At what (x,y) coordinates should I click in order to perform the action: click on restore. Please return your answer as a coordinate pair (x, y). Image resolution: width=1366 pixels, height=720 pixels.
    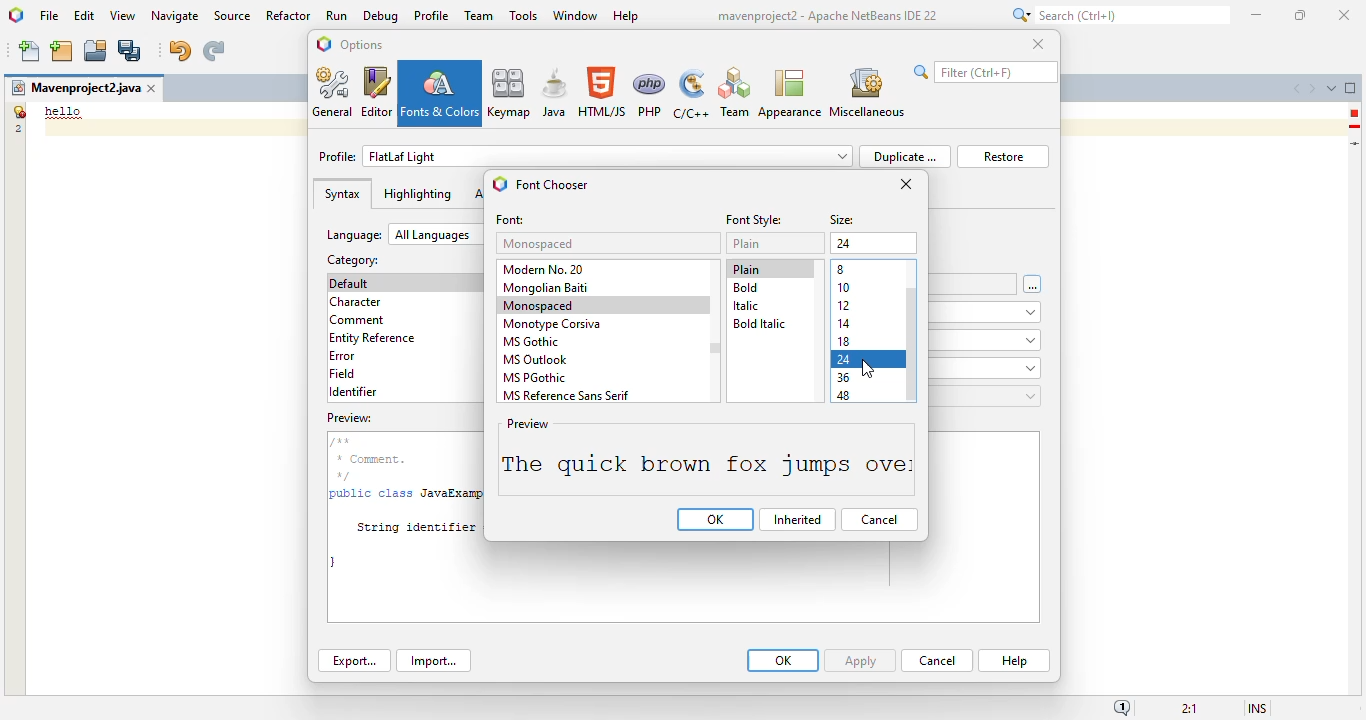
    Looking at the image, I should click on (1003, 157).